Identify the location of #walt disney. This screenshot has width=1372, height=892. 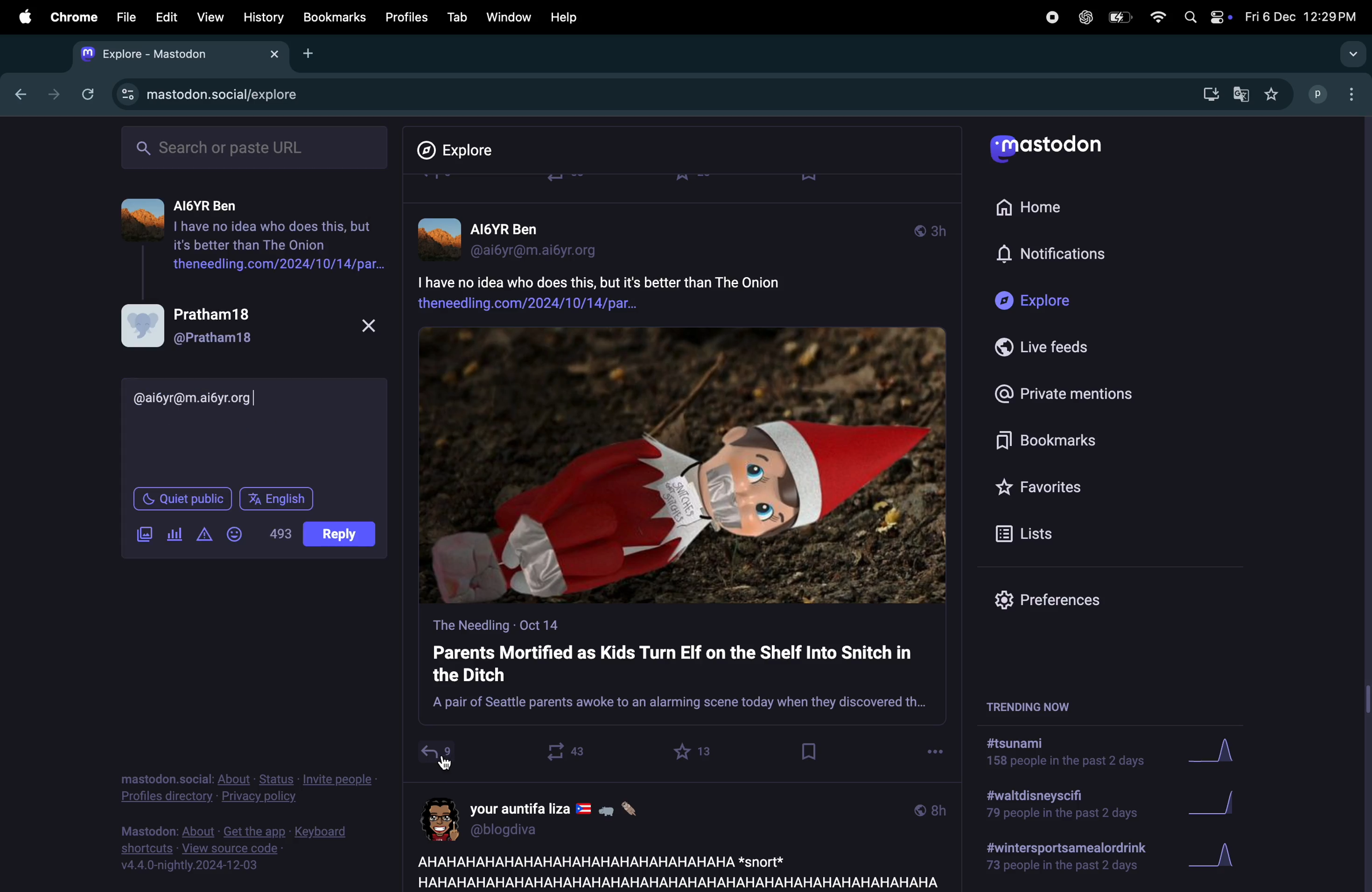
(1058, 808).